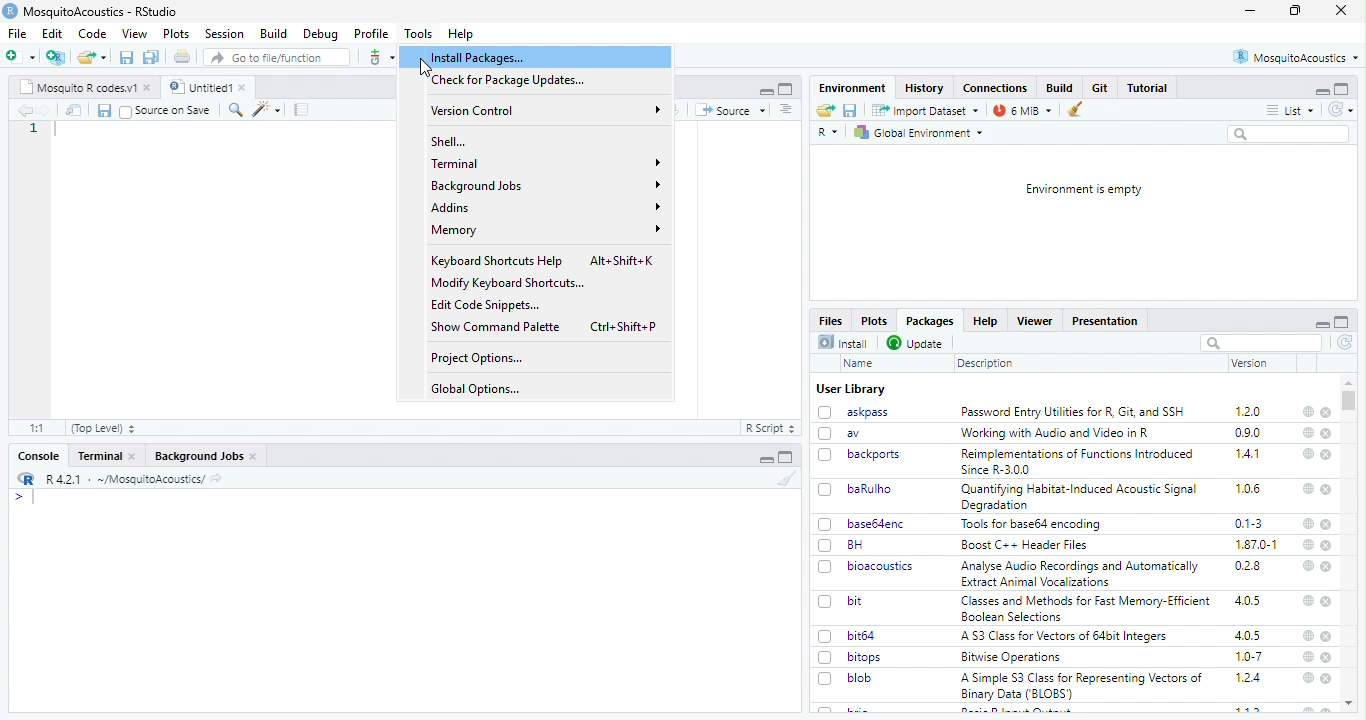 This screenshot has height=720, width=1366. Describe the element at coordinates (985, 321) in the screenshot. I see `Help` at that location.